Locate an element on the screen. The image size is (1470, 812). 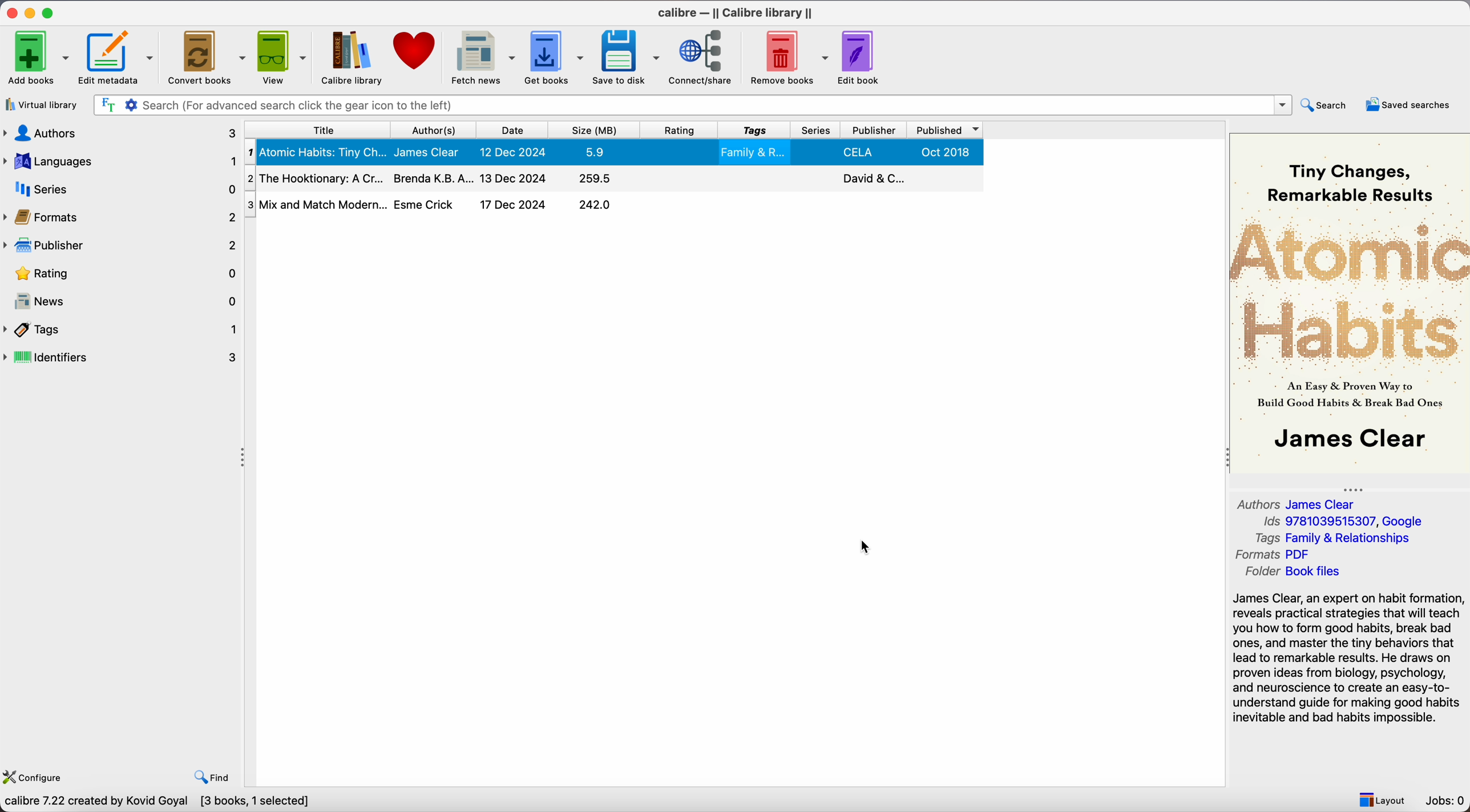
13 Dec 2024 is located at coordinates (514, 178).